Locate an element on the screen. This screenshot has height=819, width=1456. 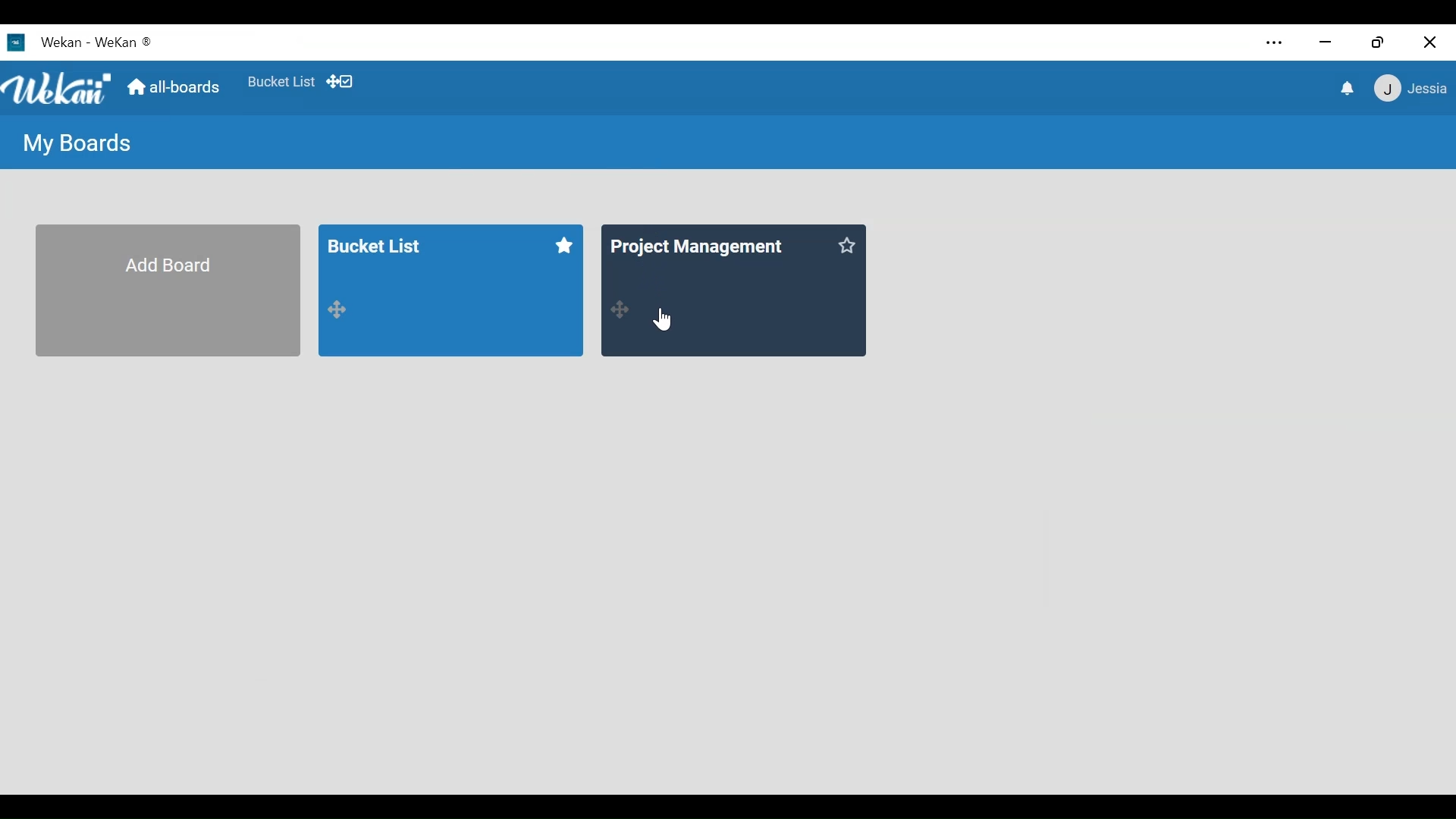
Add Board is located at coordinates (165, 290).